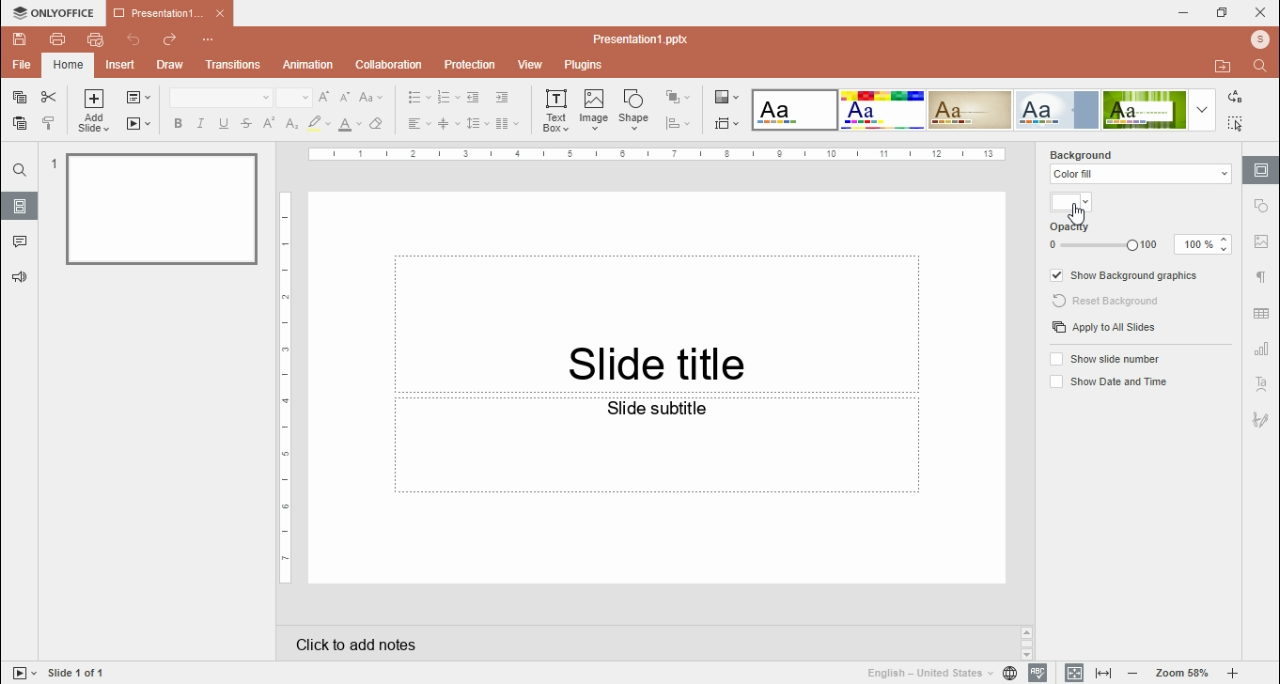 The image size is (1280, 684). Describe the element at coordinates (1075, 214) in the screenshot. I see `pointer cursor` at that location.